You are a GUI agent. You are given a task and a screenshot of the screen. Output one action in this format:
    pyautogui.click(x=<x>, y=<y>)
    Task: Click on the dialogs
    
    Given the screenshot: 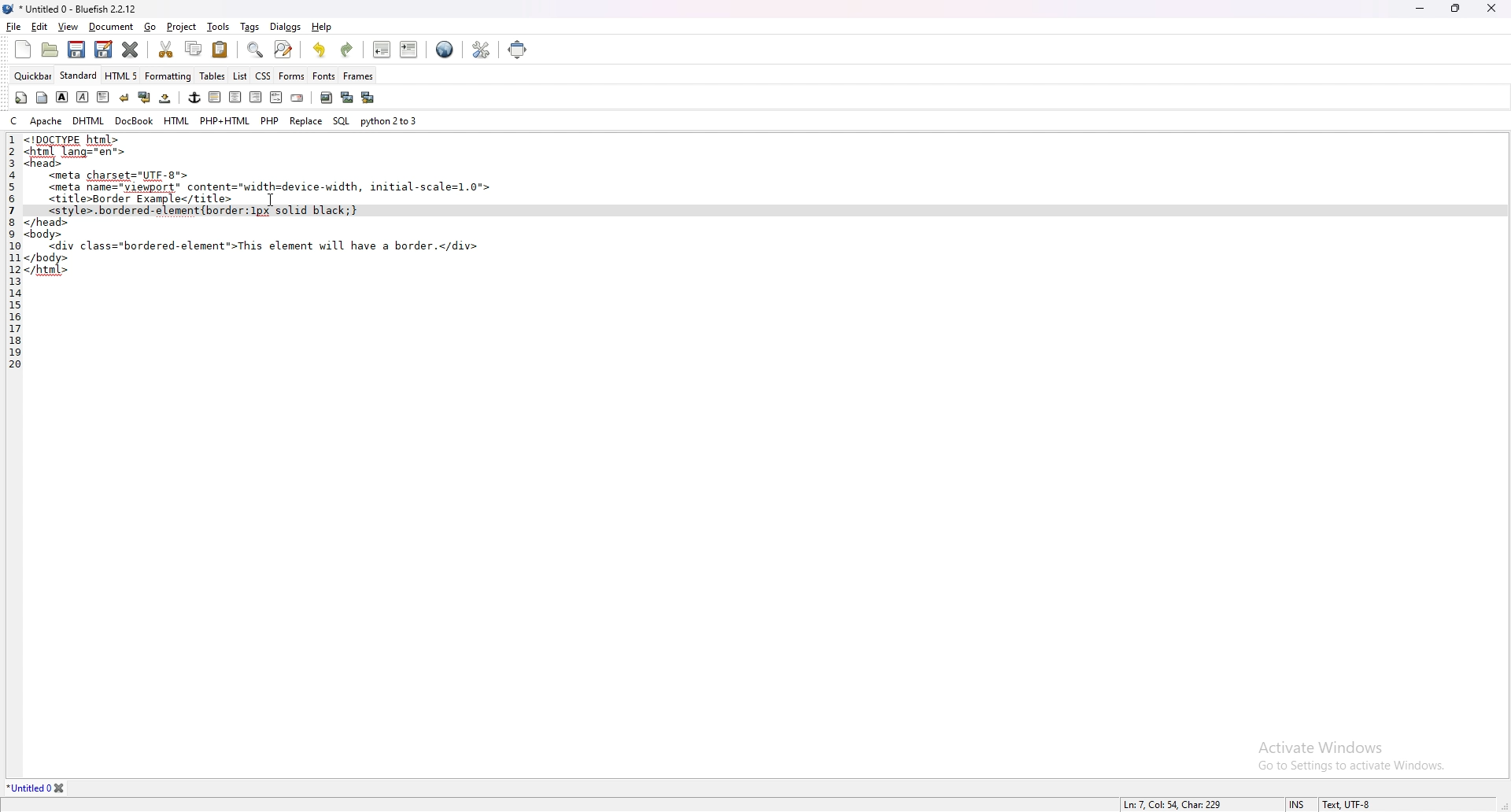 What is the action you would take?
    pyautogui.click(x=285, y=26)
    